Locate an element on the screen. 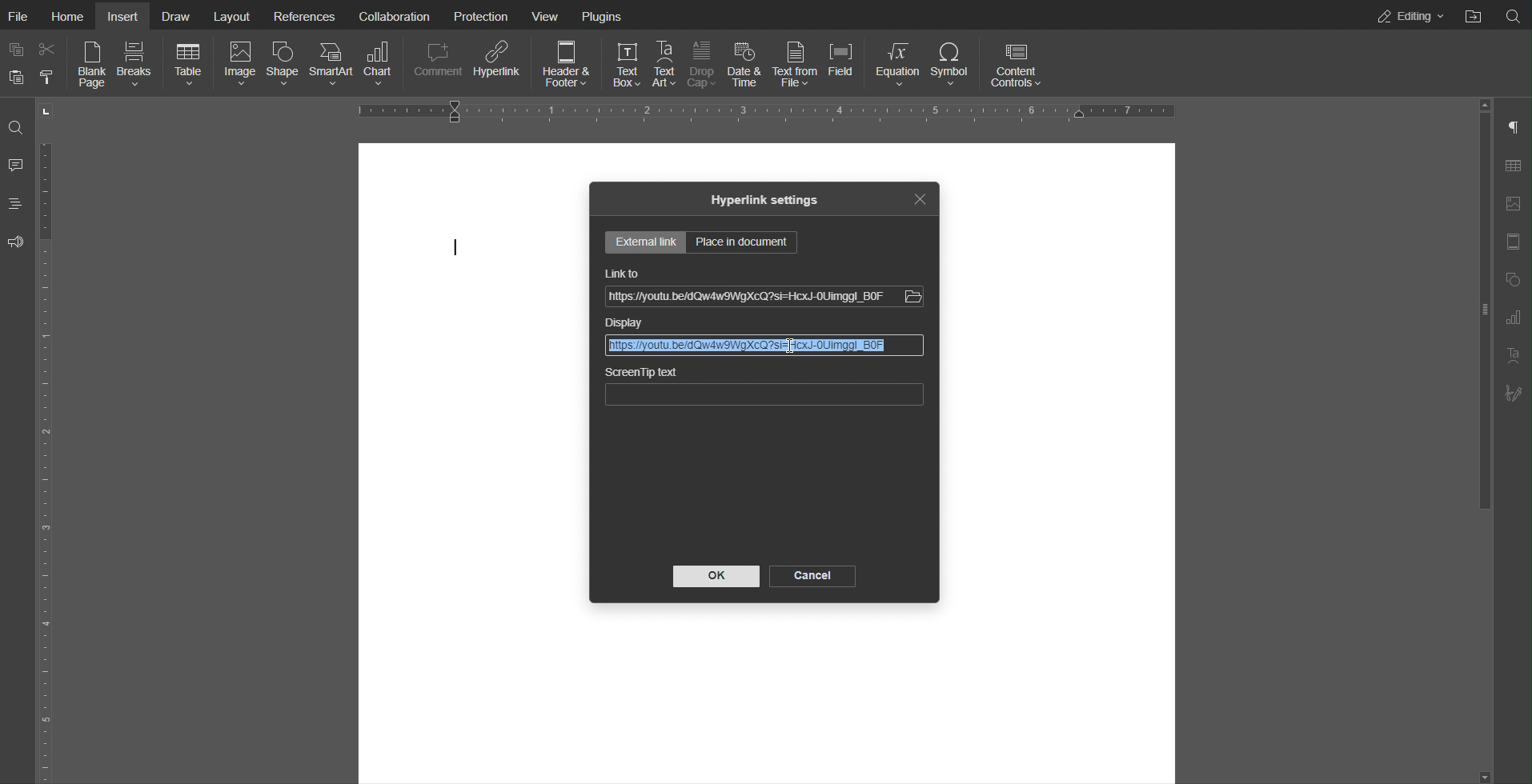 Image resolution: width=1532 pixels, height=784 pixels. Feedback and Support is located at coordinates (16, 243).